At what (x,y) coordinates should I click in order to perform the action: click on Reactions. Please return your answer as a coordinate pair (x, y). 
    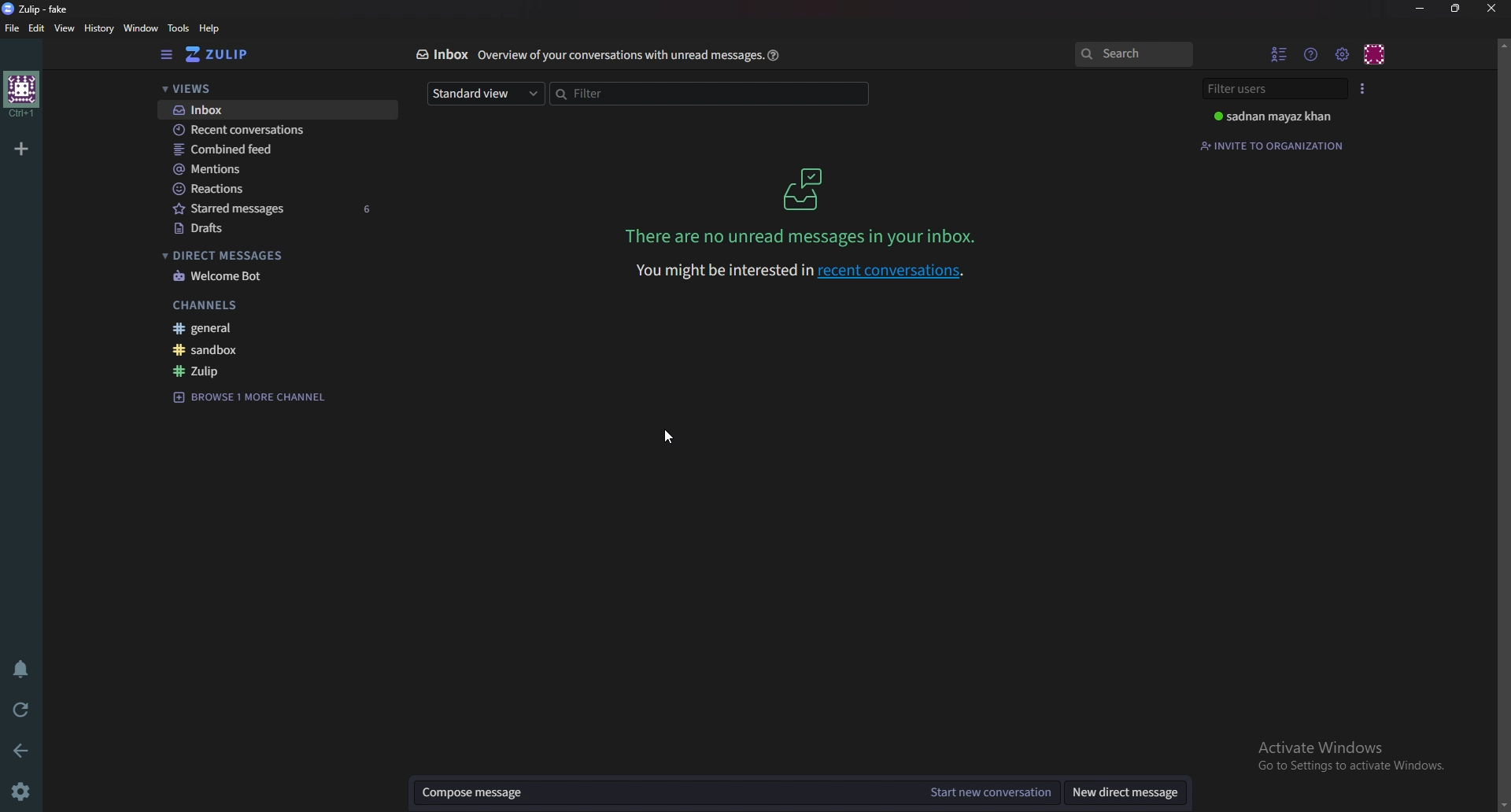
    Looking at the image, I should click on (283, 188).